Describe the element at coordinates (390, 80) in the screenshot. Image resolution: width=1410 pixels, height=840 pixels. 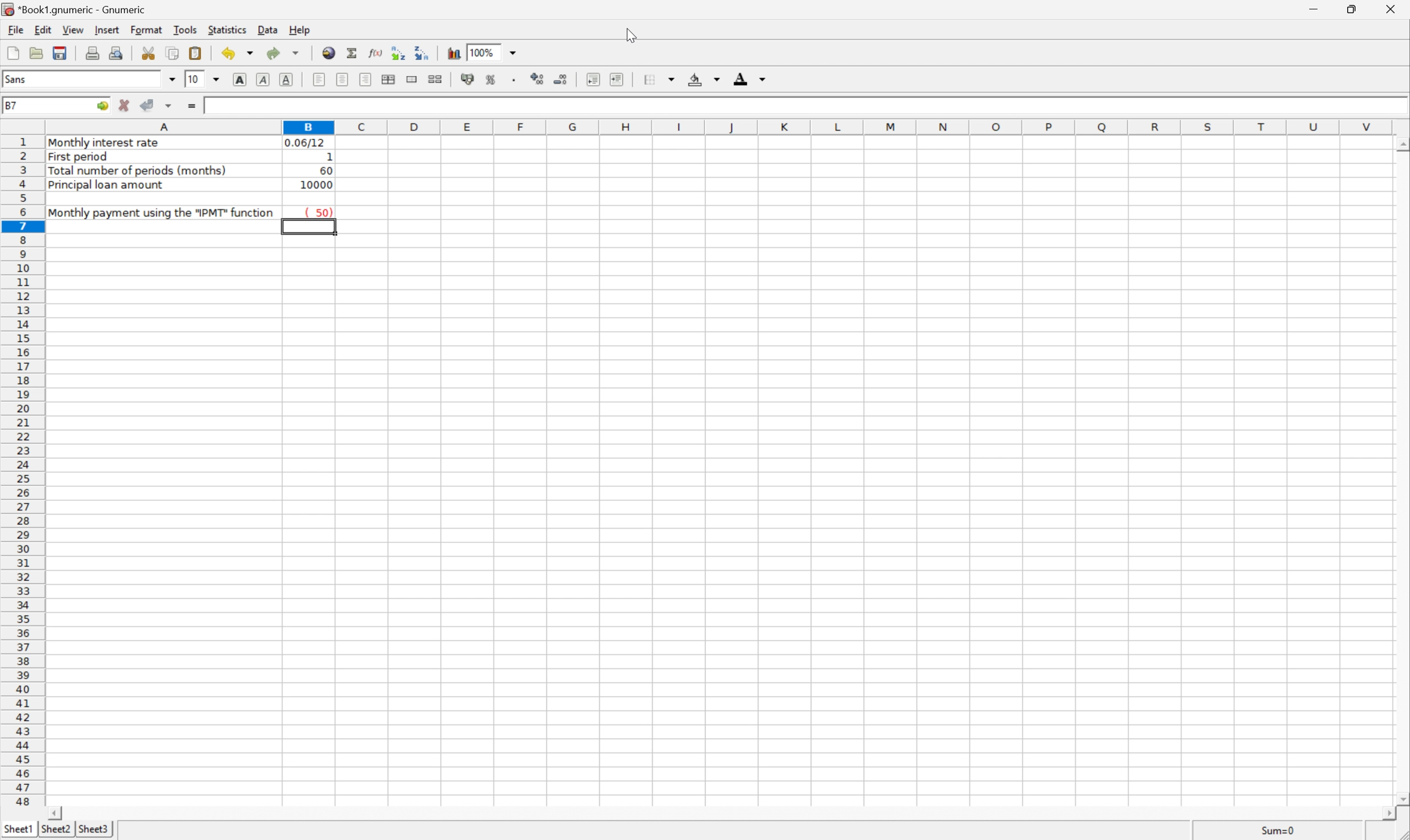
I see `Center horizontally across selection` at that location.